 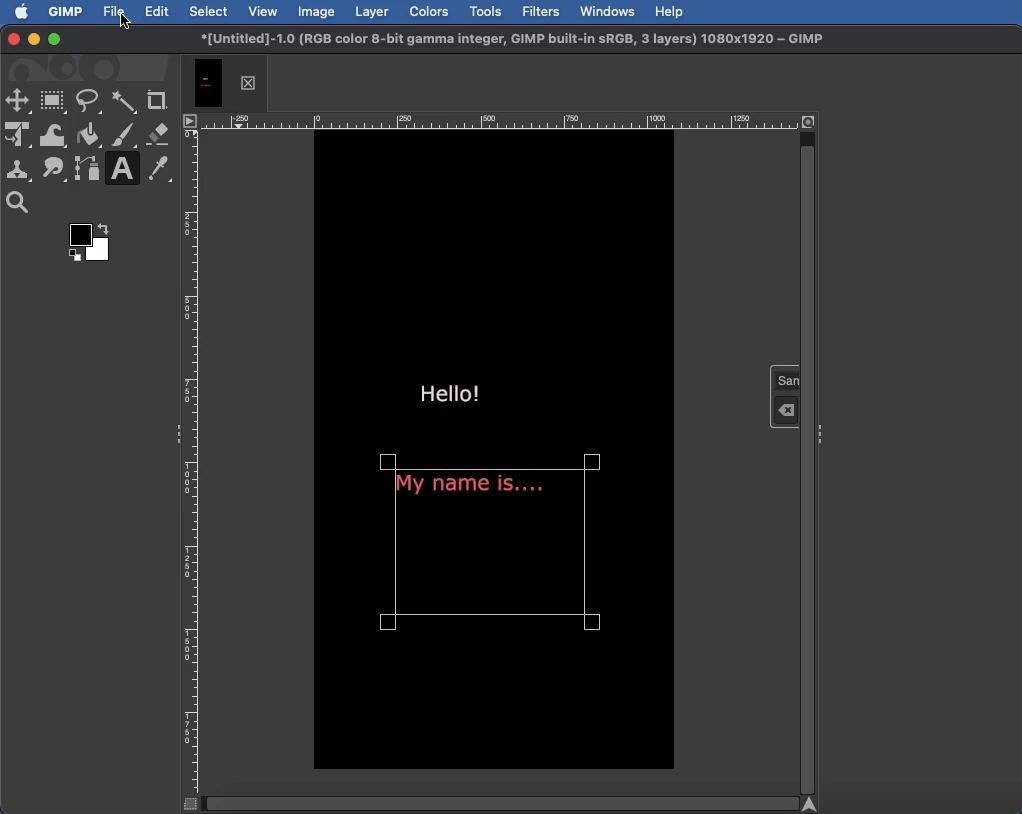 What do you see at coordinates (228, 80) in the screenshot?
I see `Tab` at bounding box center [228, 80].